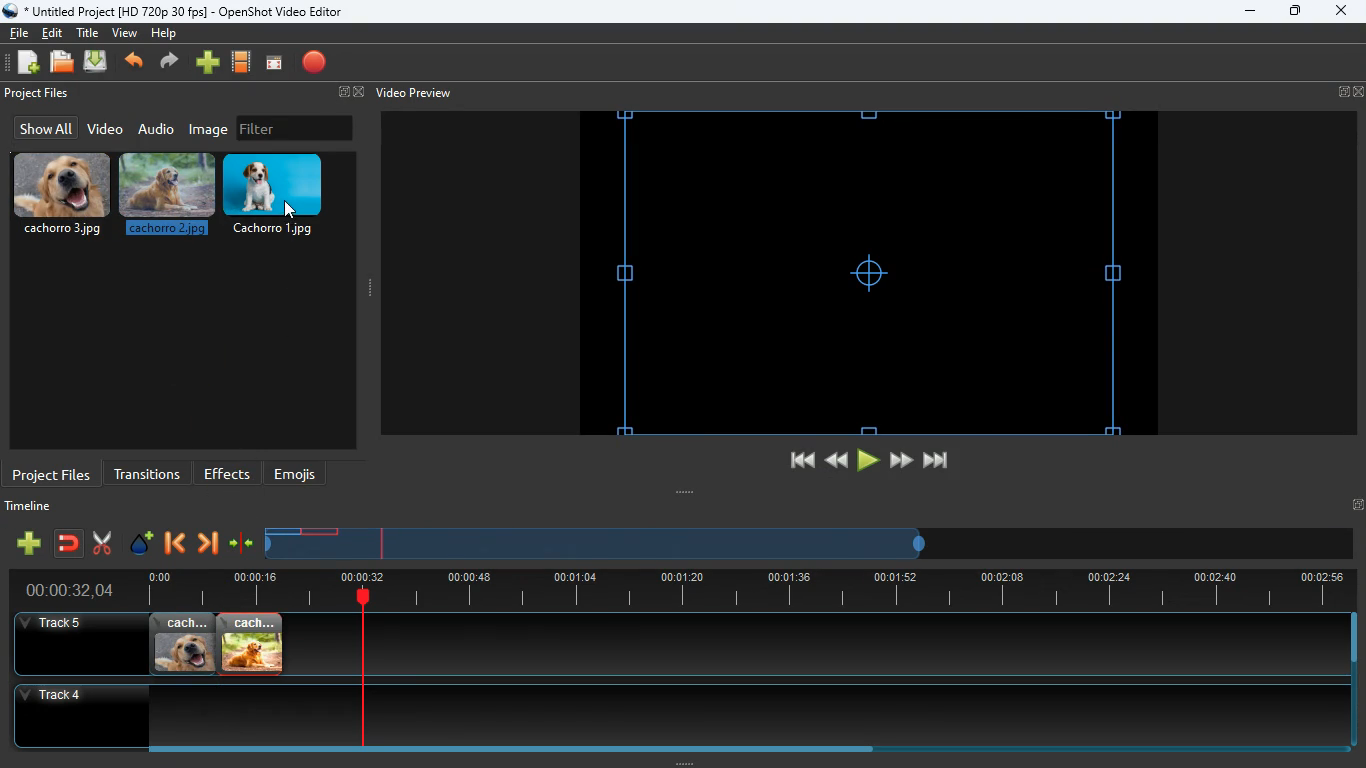  I want to click on back, so click(834, 460).